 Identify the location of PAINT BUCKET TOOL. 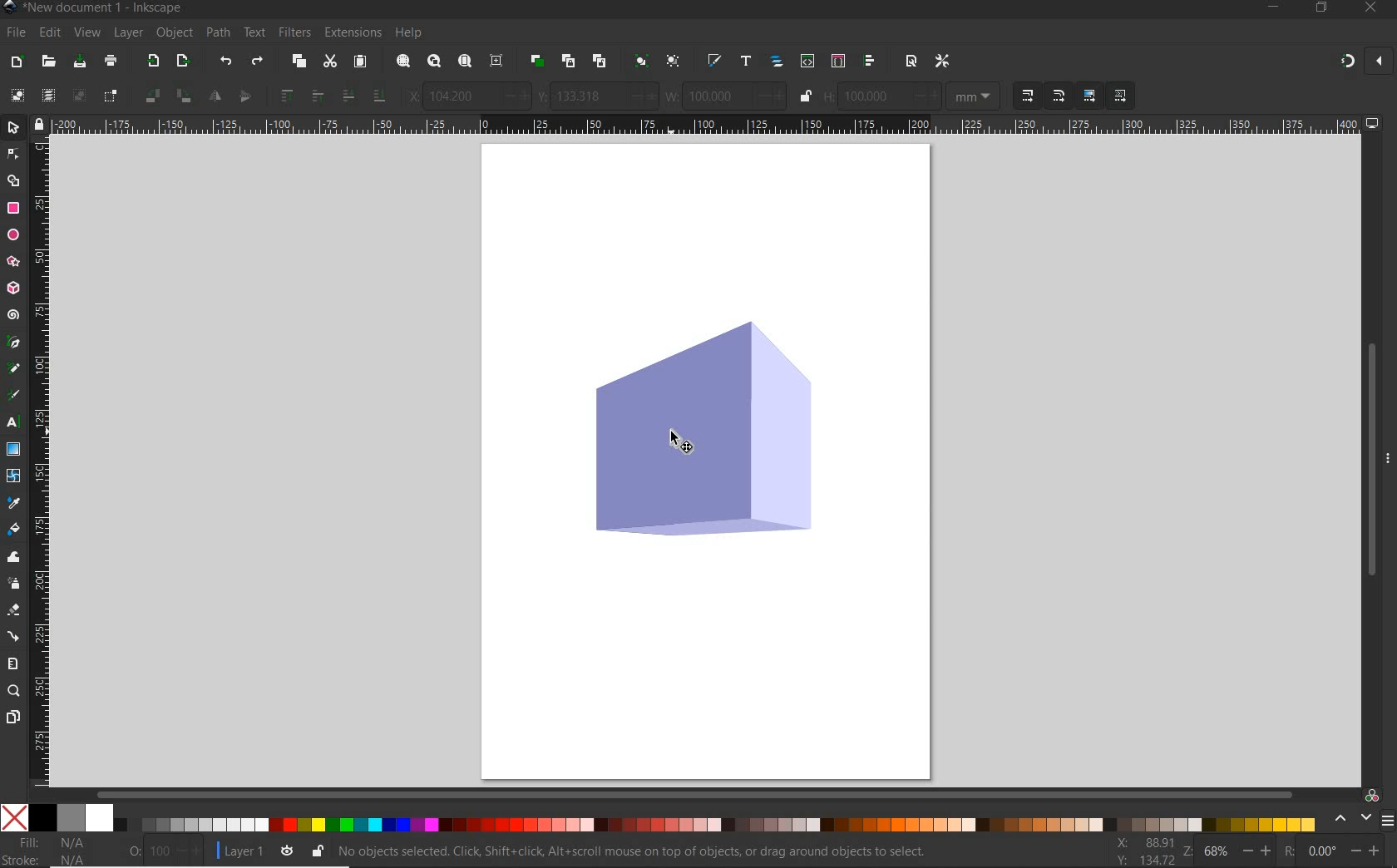
(12, 529).